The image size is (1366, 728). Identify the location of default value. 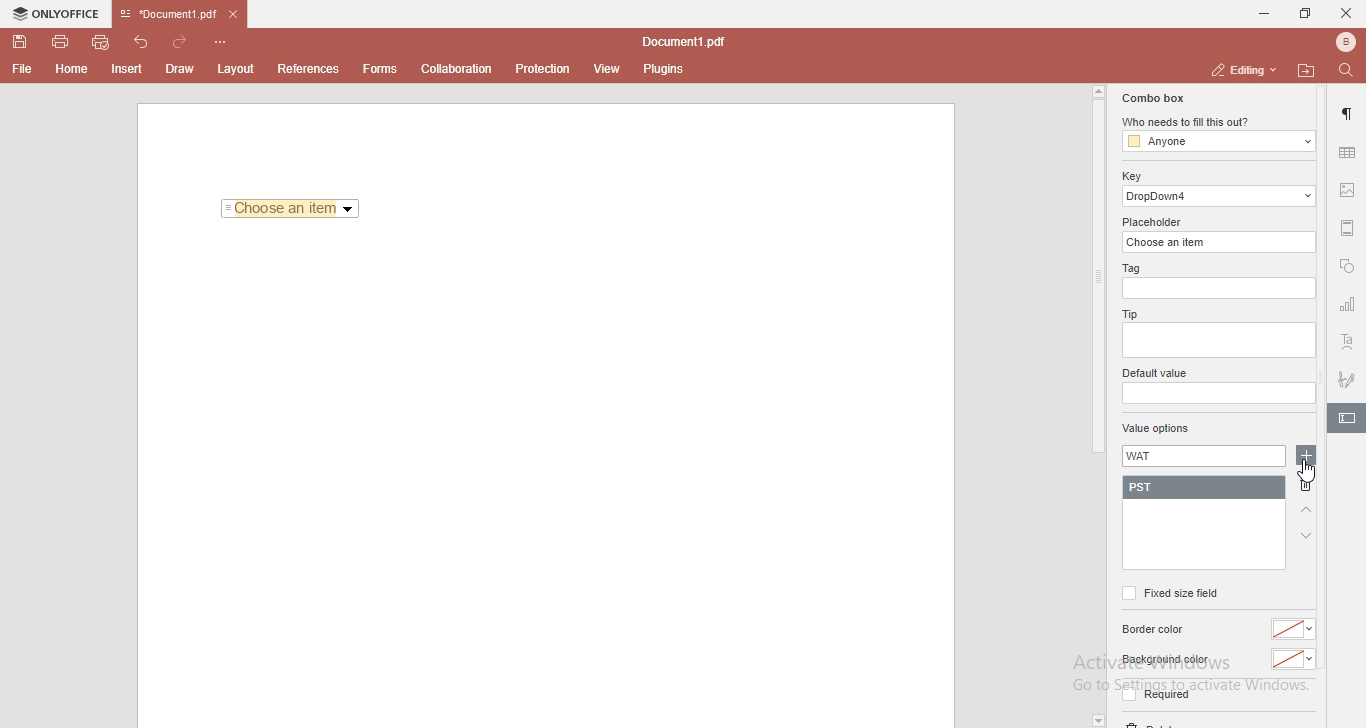
(1157, 374).